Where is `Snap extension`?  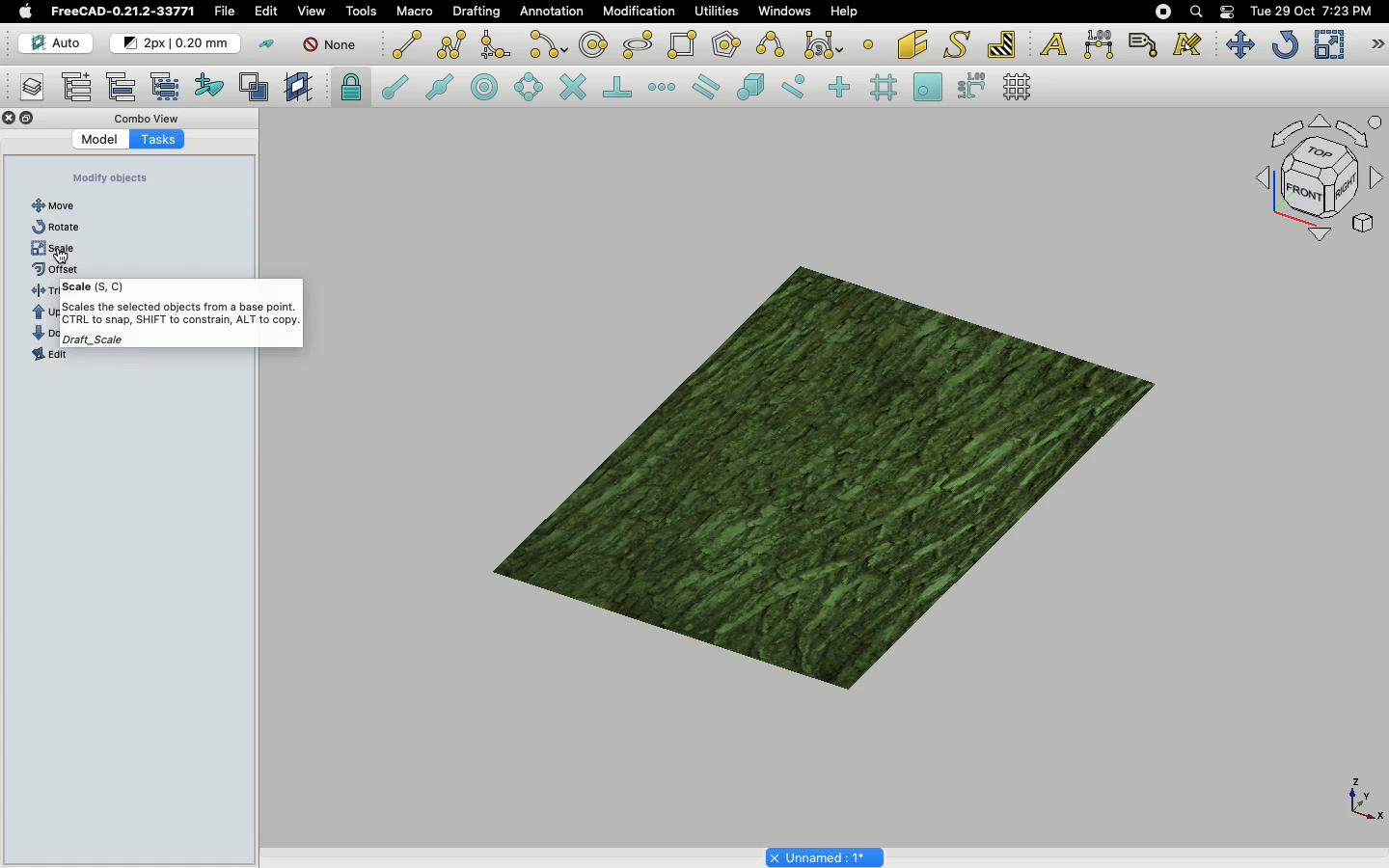 Snap extension is located at coordinates (662, 88).